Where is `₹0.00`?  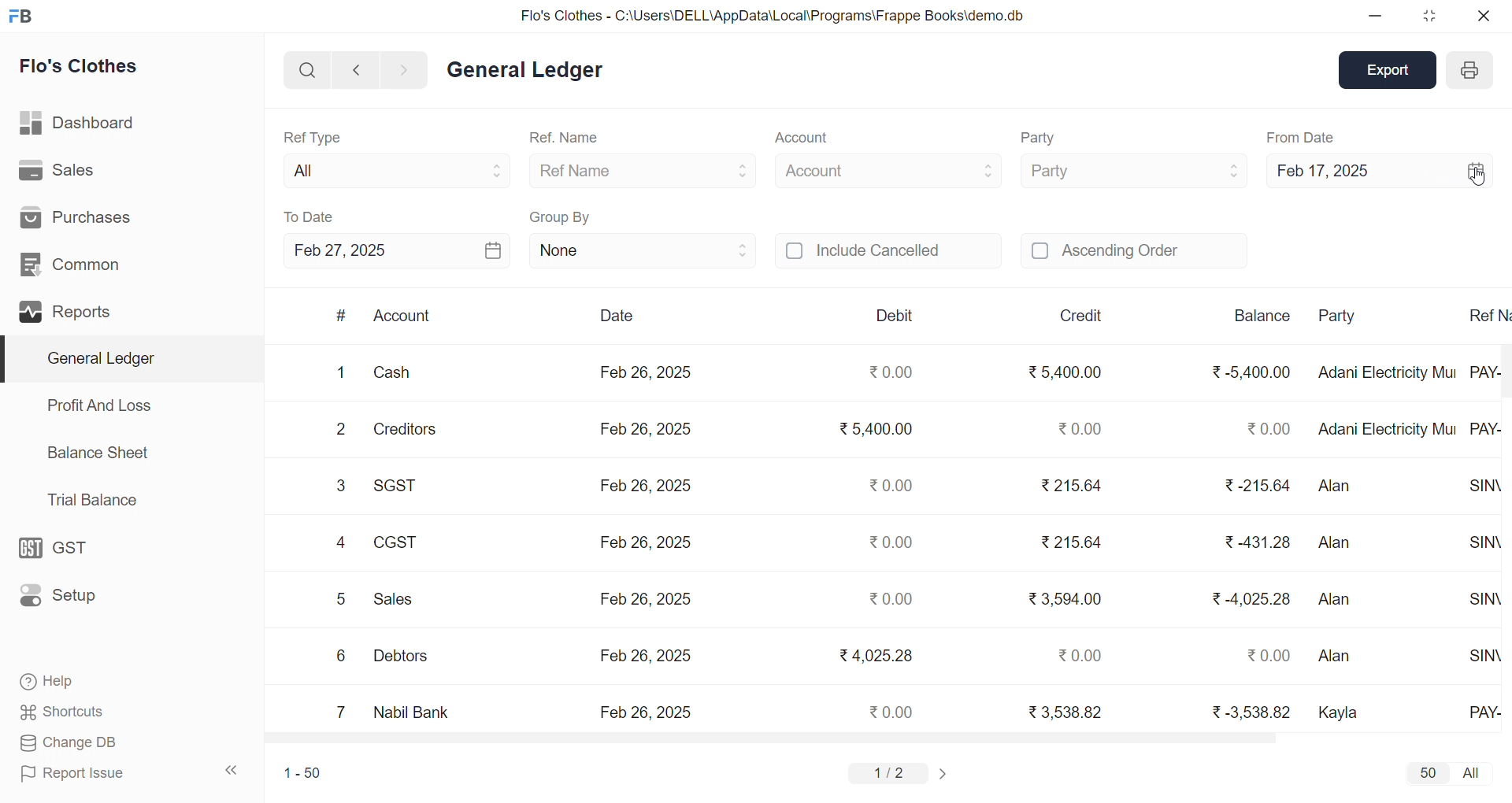
₹0.00 is located at coordinates (889, 543).